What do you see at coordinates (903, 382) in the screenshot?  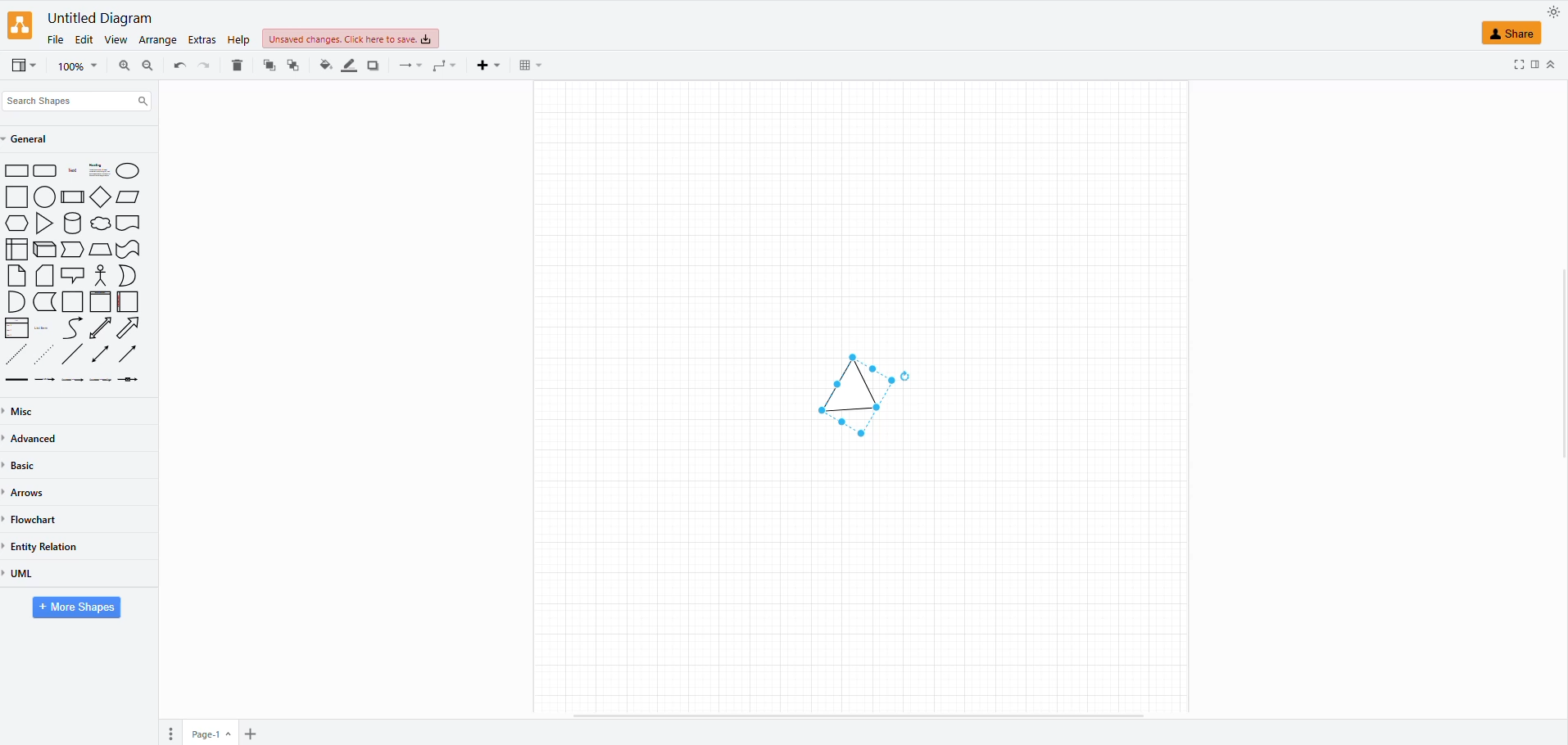 I see `cursor` at bounding box center [903, 382].